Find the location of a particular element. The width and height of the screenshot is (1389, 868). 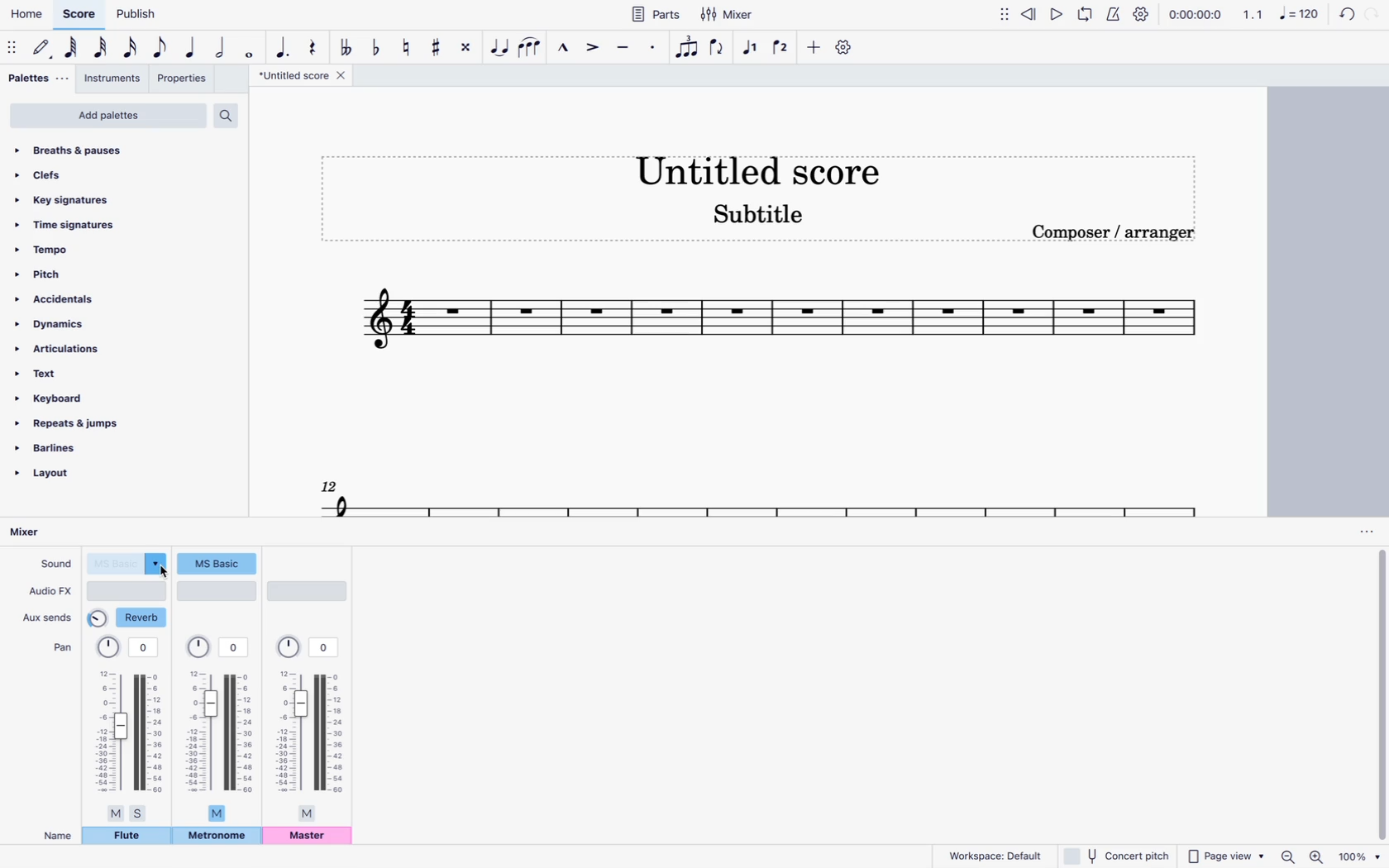

toggle double sharp is located at coordinates (469, 46).